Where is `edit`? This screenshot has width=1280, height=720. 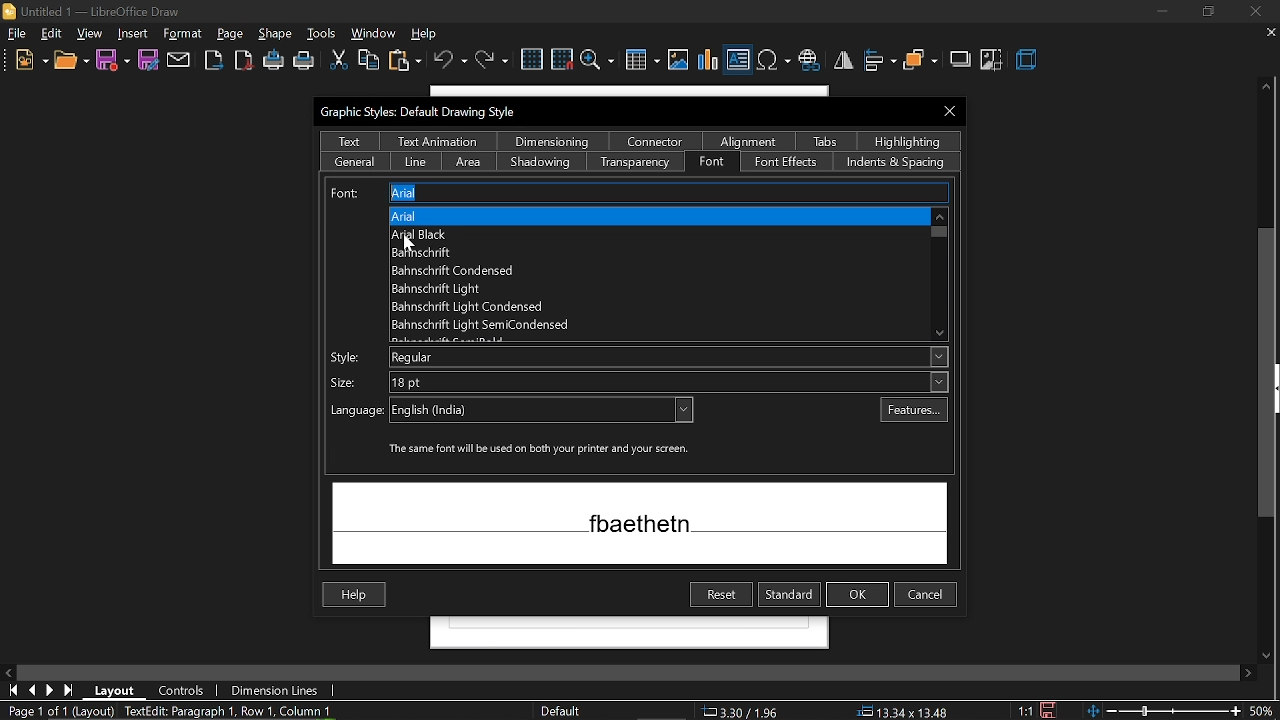
edit is located at coordinates (52, 34).